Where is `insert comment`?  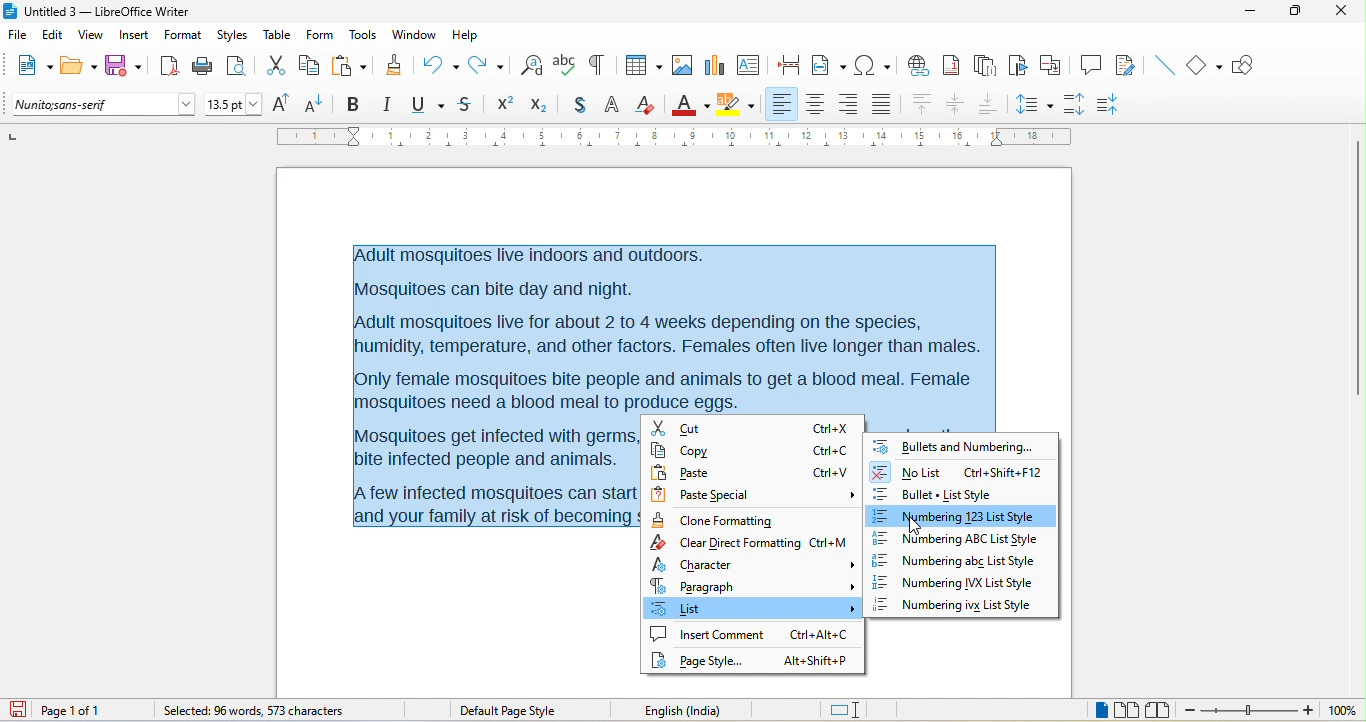
insert comment is located at coordinates (749, 634).